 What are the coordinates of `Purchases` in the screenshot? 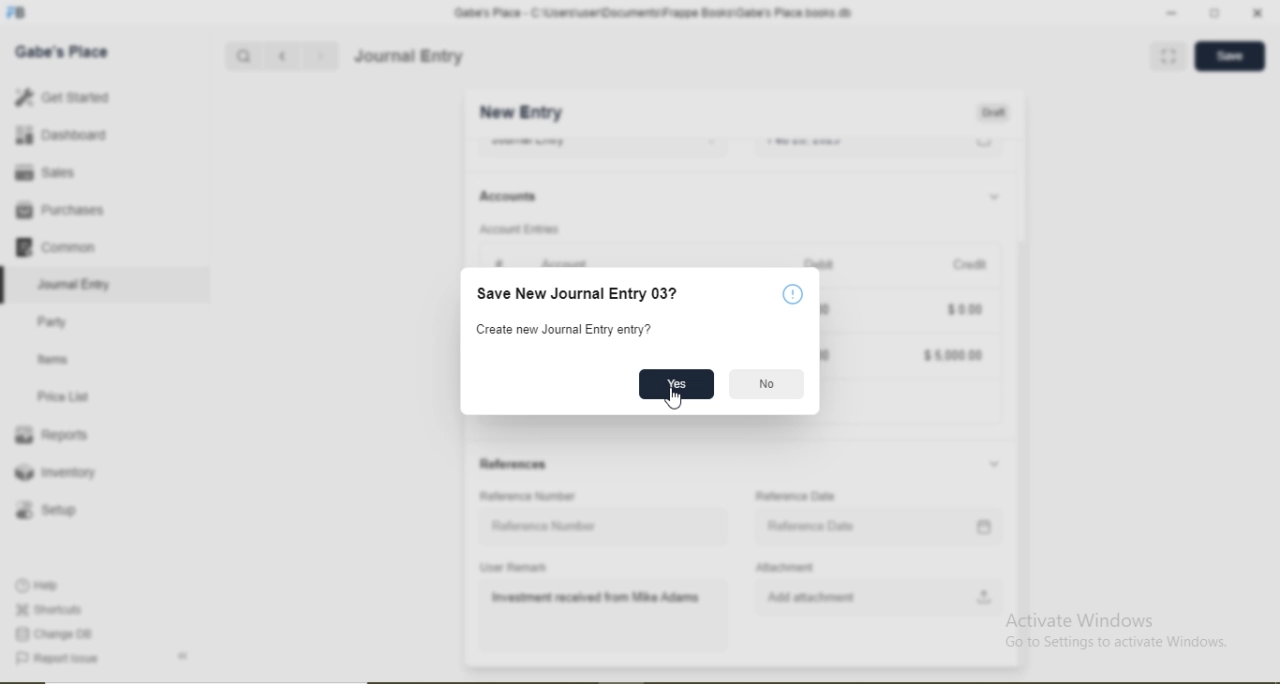 It's located at (59, 210).